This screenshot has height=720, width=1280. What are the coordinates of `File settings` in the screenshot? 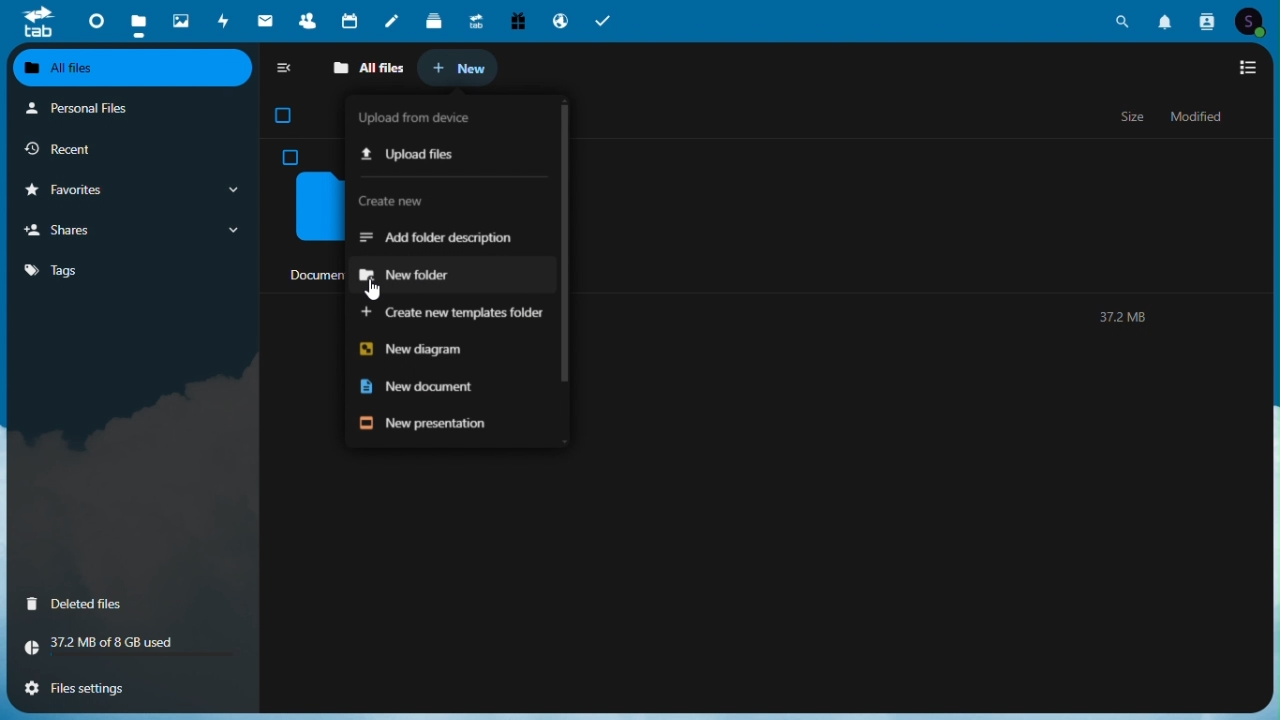 It's located at (128, 693).